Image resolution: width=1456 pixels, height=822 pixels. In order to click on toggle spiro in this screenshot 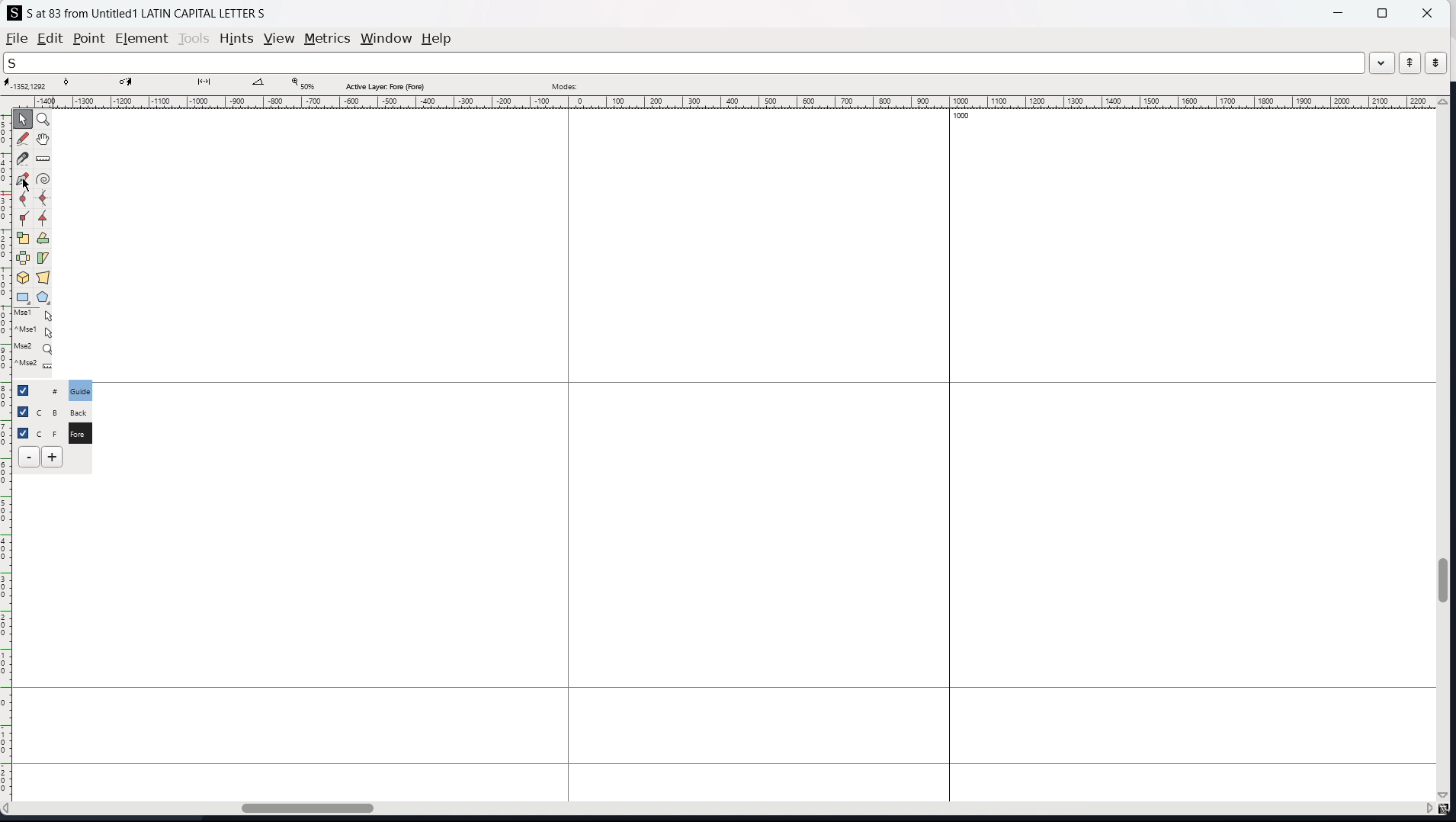, I will do `click(43, 178)`.